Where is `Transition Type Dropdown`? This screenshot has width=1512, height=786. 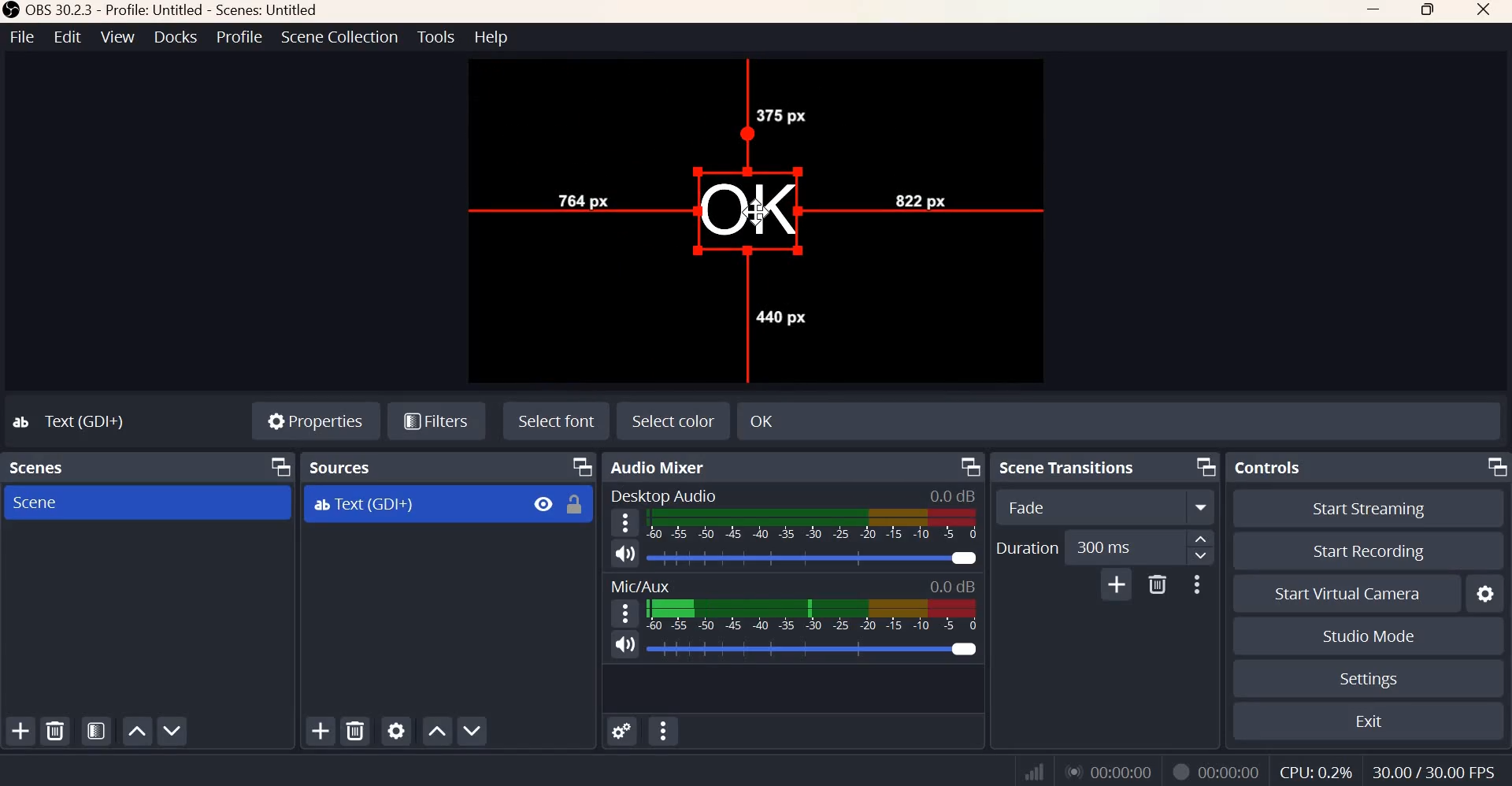
Transition Type Dropdown is located at coordinates (1106, 506).